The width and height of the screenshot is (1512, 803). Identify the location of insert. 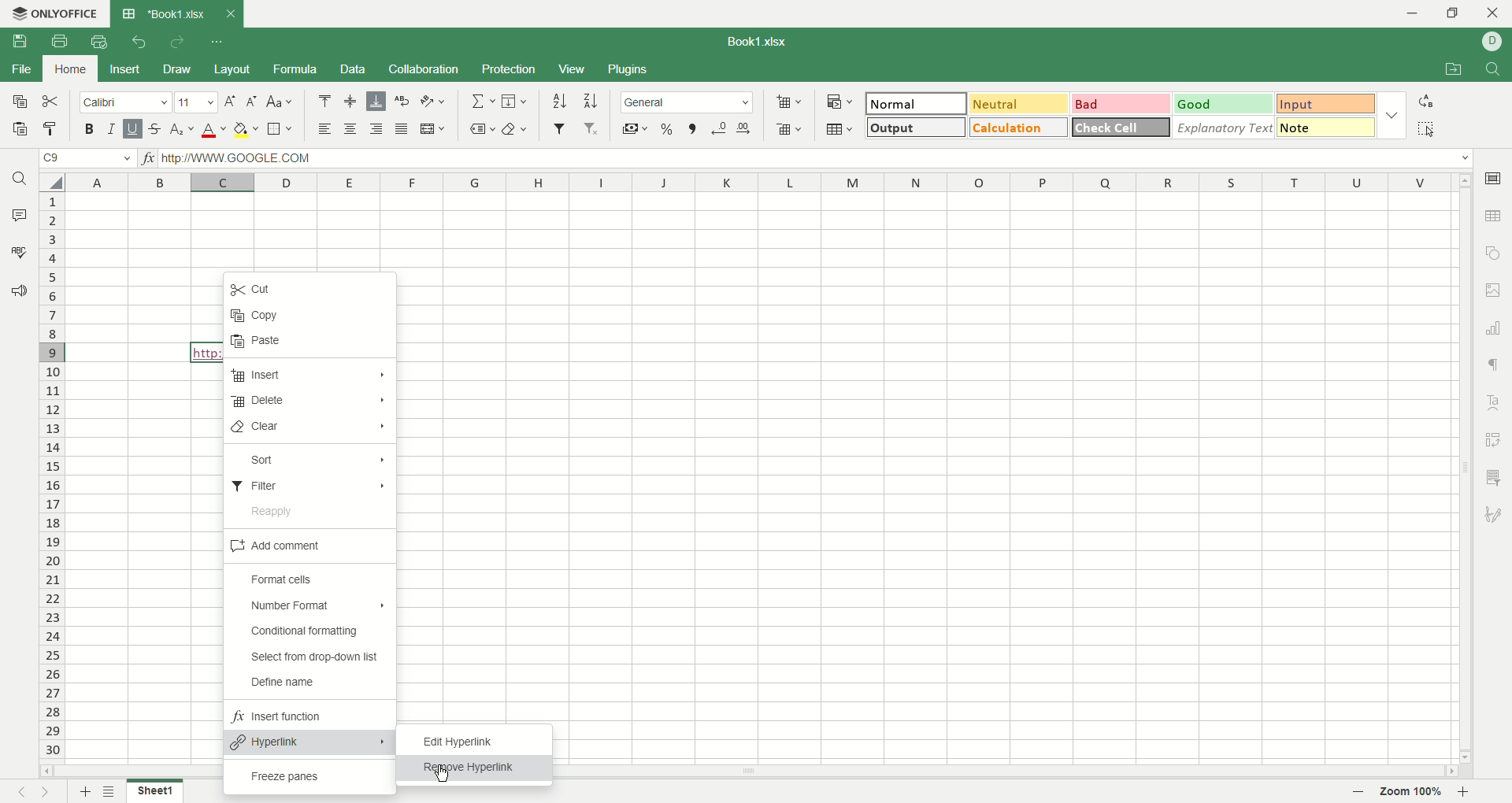
(309, 375).